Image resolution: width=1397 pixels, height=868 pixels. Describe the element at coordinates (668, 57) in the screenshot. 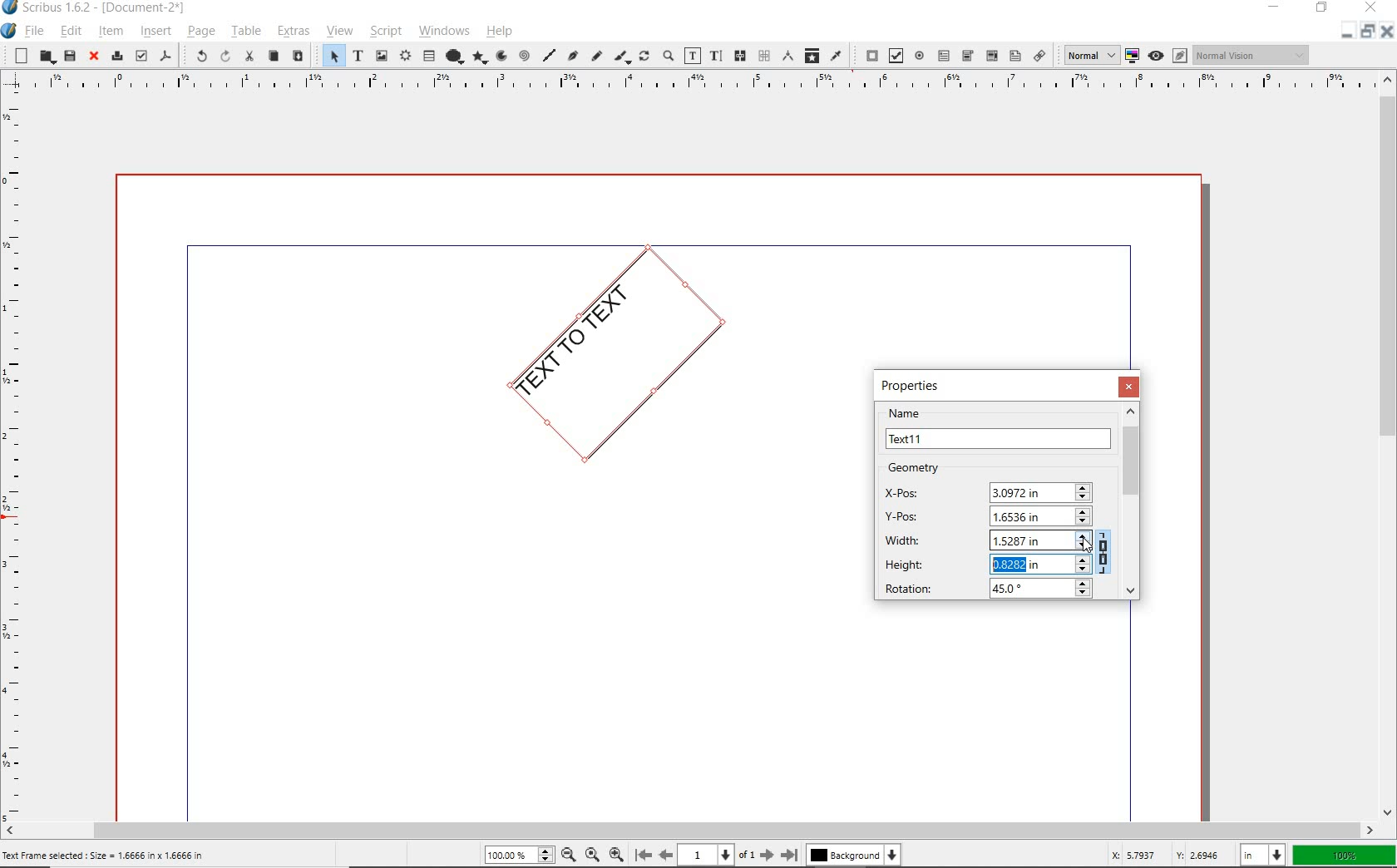

I see `zoom in or zoom out` at that location.